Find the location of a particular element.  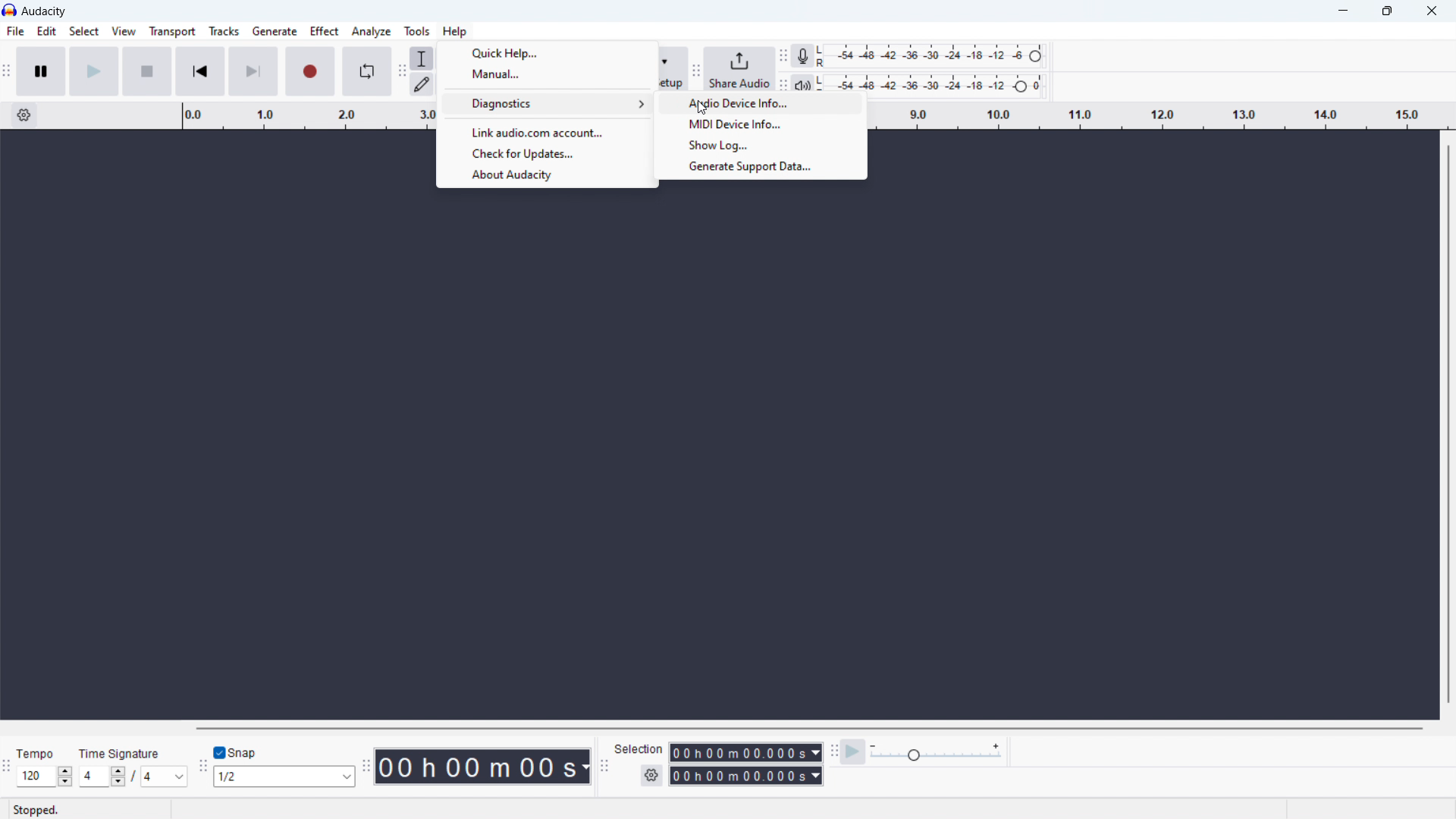

recording is located at coordinates (310, 71).